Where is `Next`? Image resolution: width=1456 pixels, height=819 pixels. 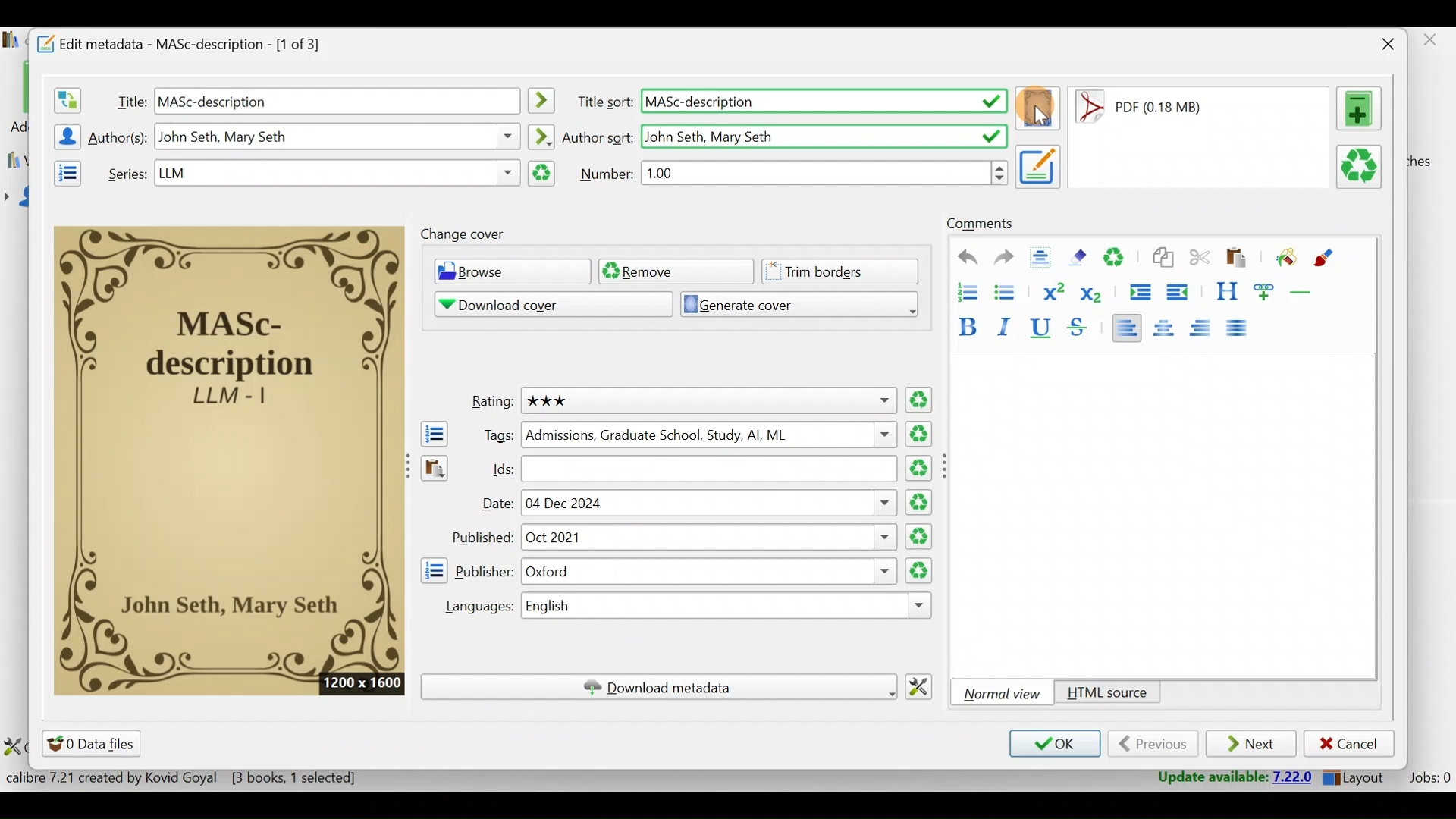 Next is located at coordinates (1253, 745).